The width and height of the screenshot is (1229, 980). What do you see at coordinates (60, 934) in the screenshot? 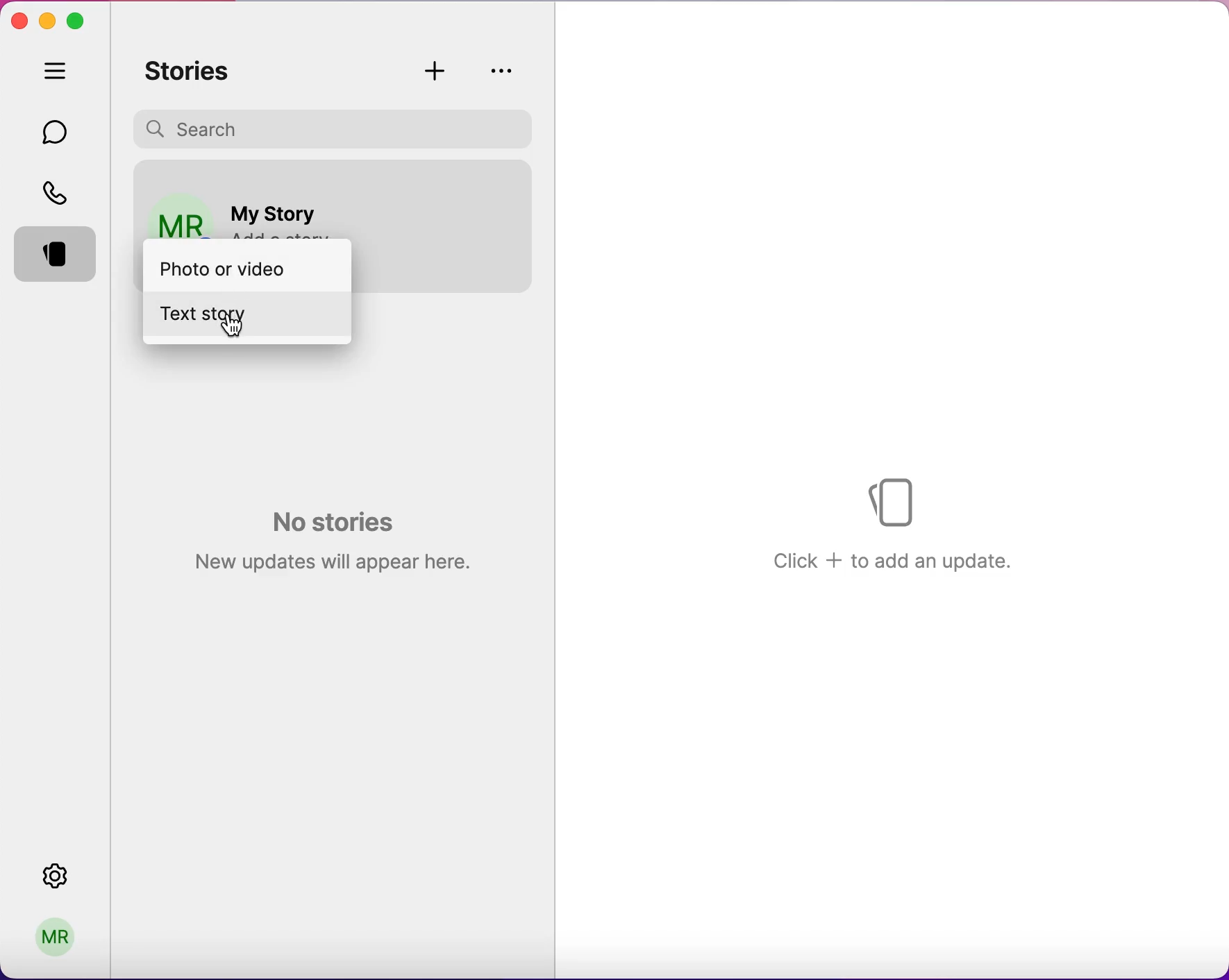
I see `user` at bounding box center [60, 934].